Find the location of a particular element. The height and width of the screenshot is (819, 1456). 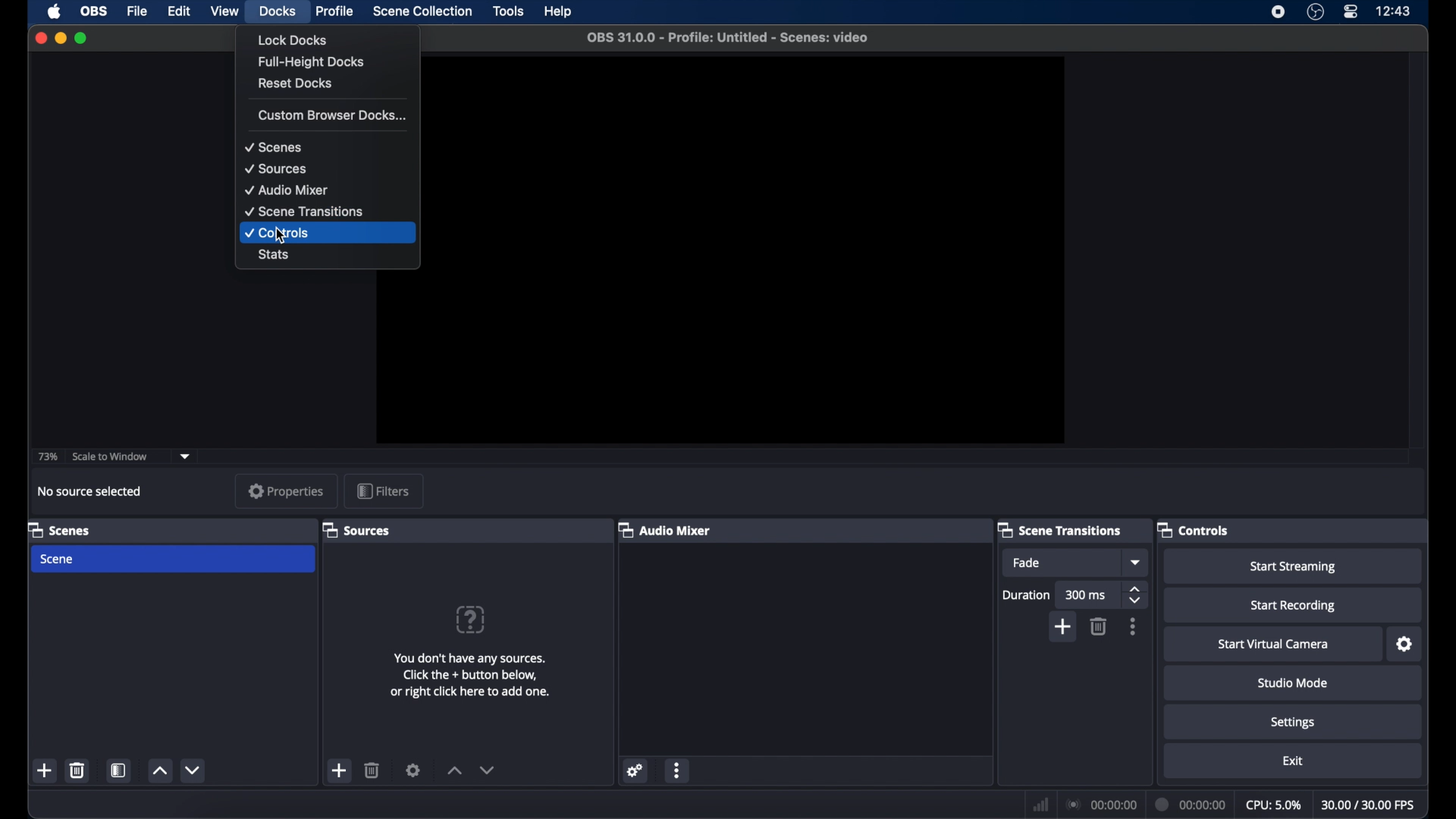

increment is located at coordinates (159, 772).